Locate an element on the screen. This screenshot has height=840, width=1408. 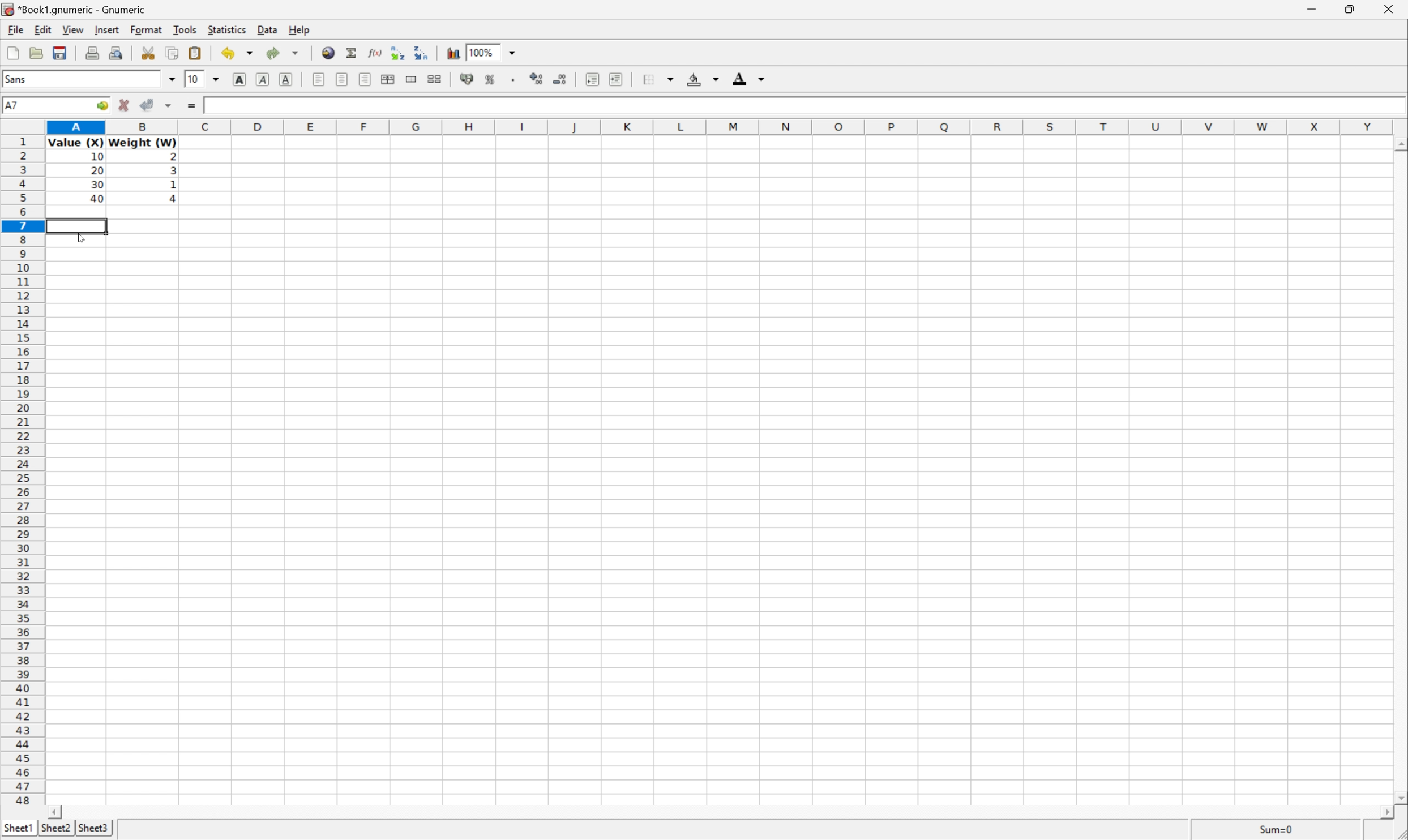
Cut selection is located at coordinates (147, 53).